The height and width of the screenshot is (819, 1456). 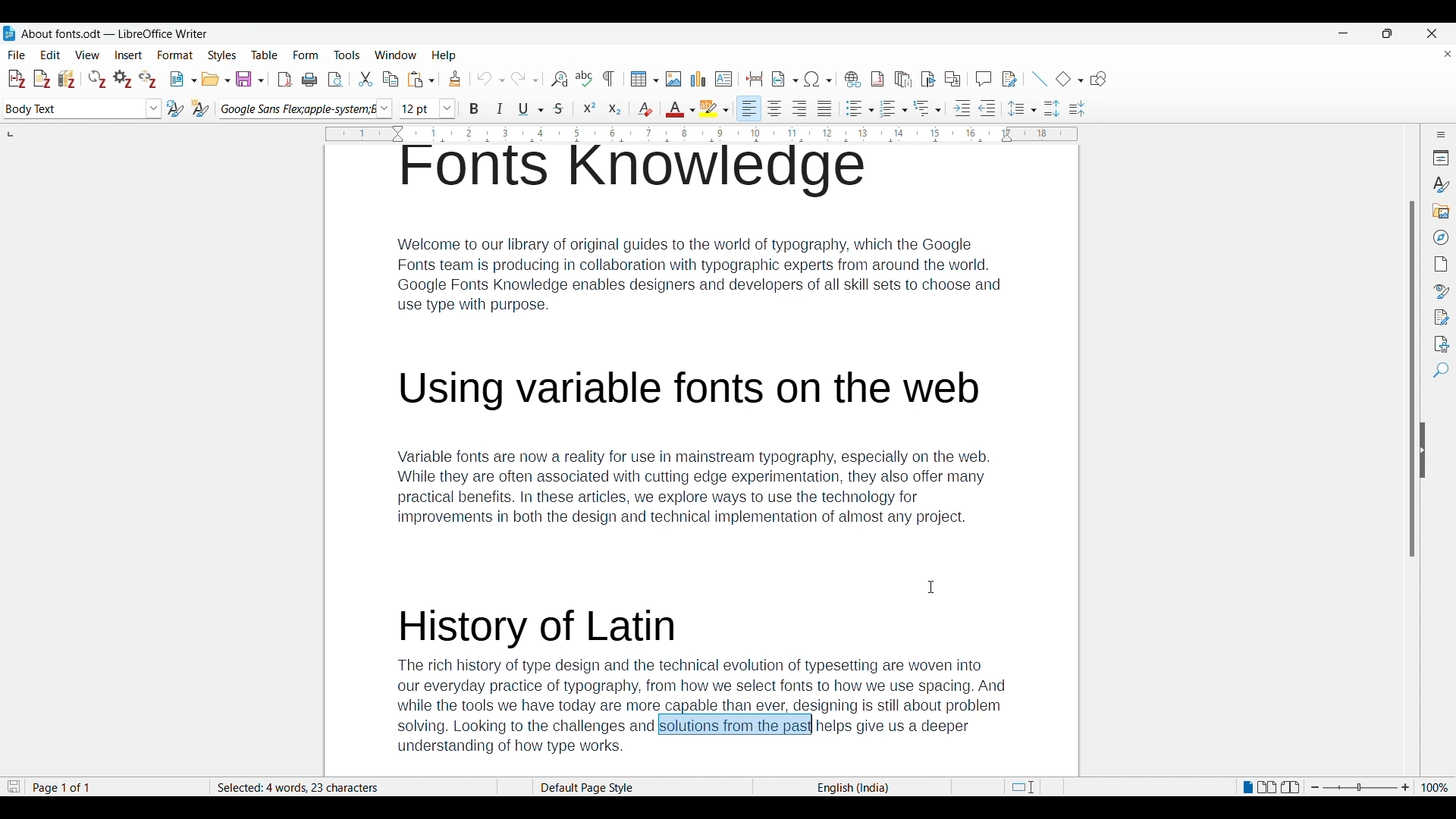 I want to click on Print, so click(x=309, y=79).